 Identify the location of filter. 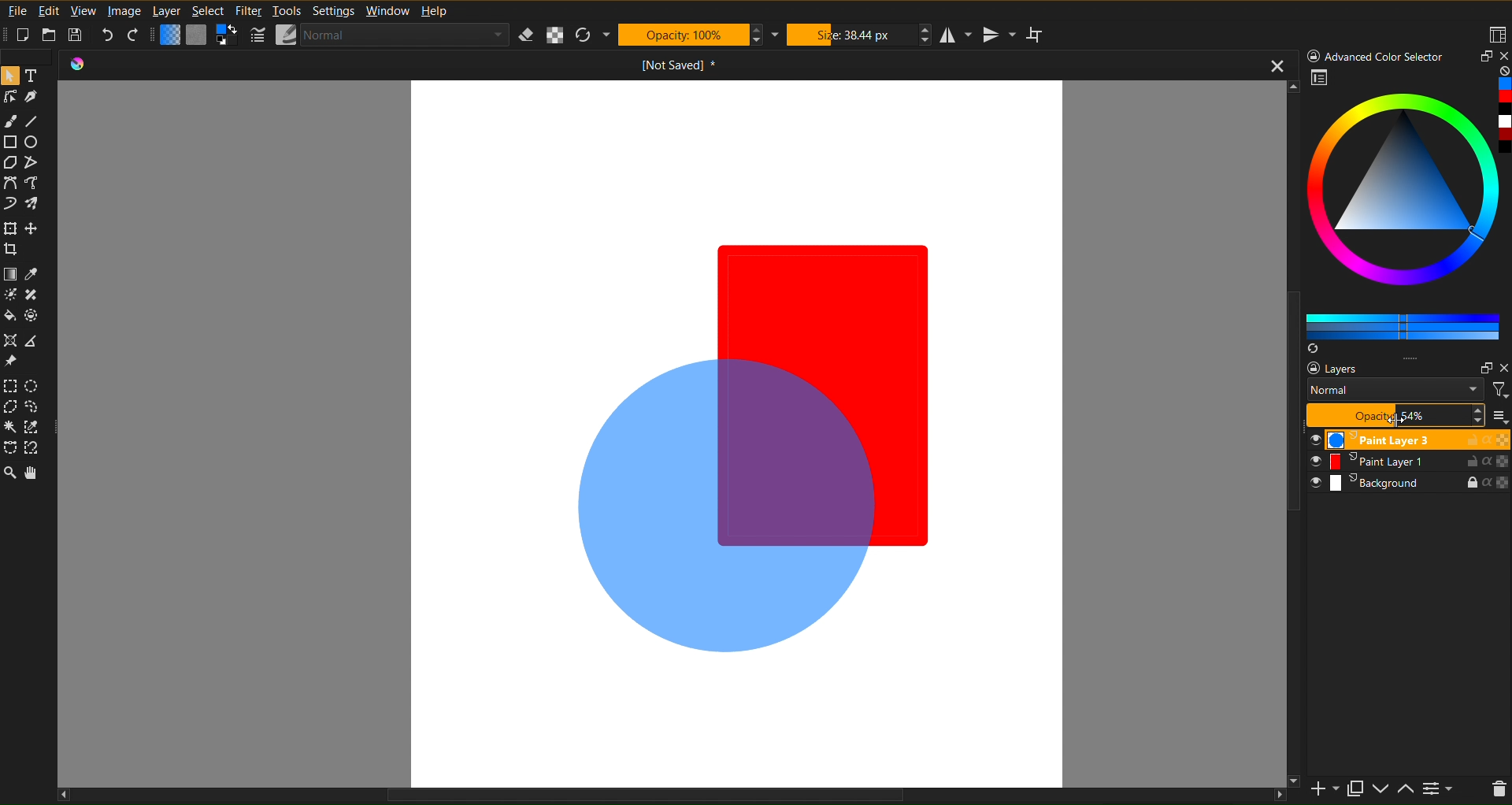
(1498, 392).